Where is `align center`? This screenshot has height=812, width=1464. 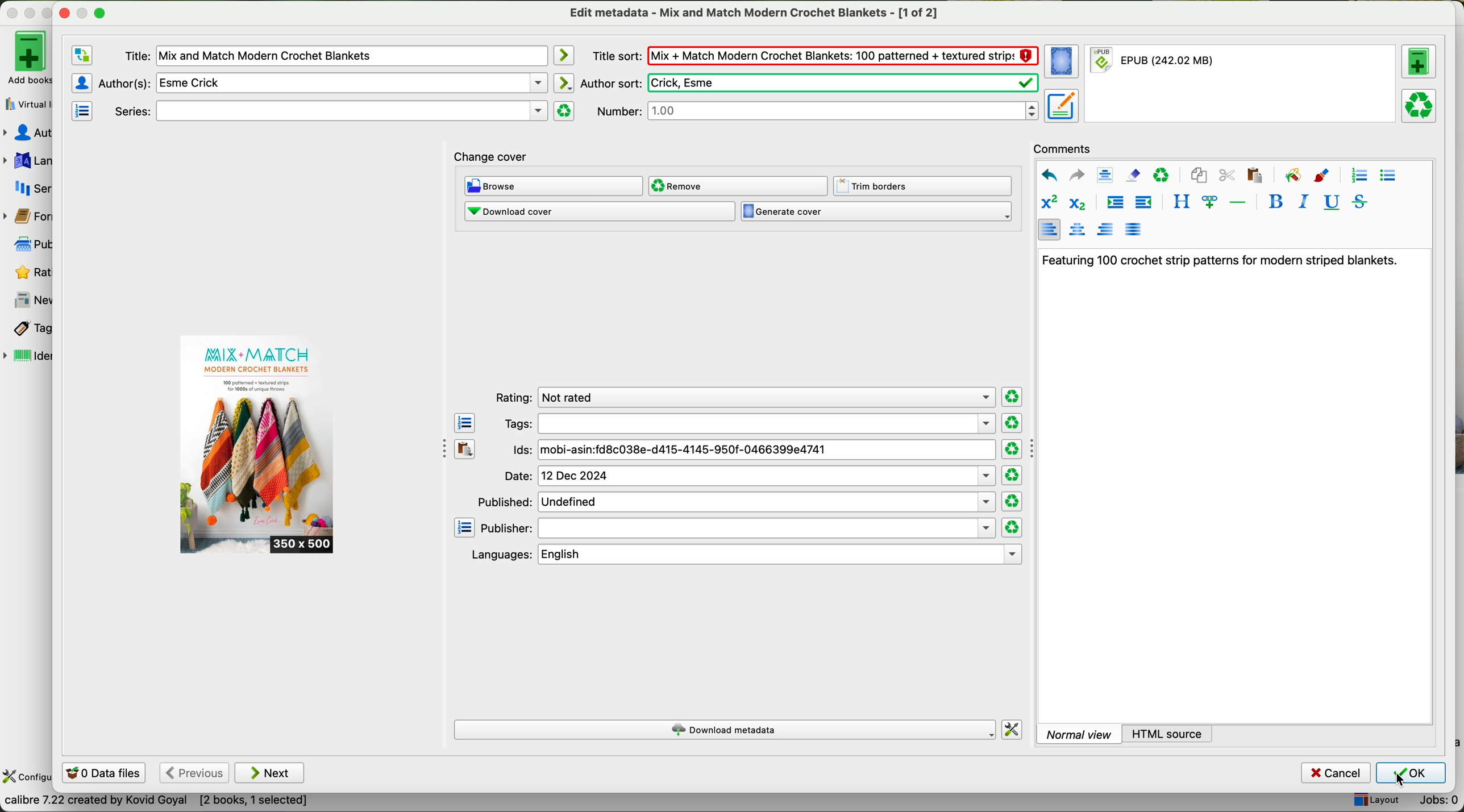 align center is located at coordinates (1079, 230).